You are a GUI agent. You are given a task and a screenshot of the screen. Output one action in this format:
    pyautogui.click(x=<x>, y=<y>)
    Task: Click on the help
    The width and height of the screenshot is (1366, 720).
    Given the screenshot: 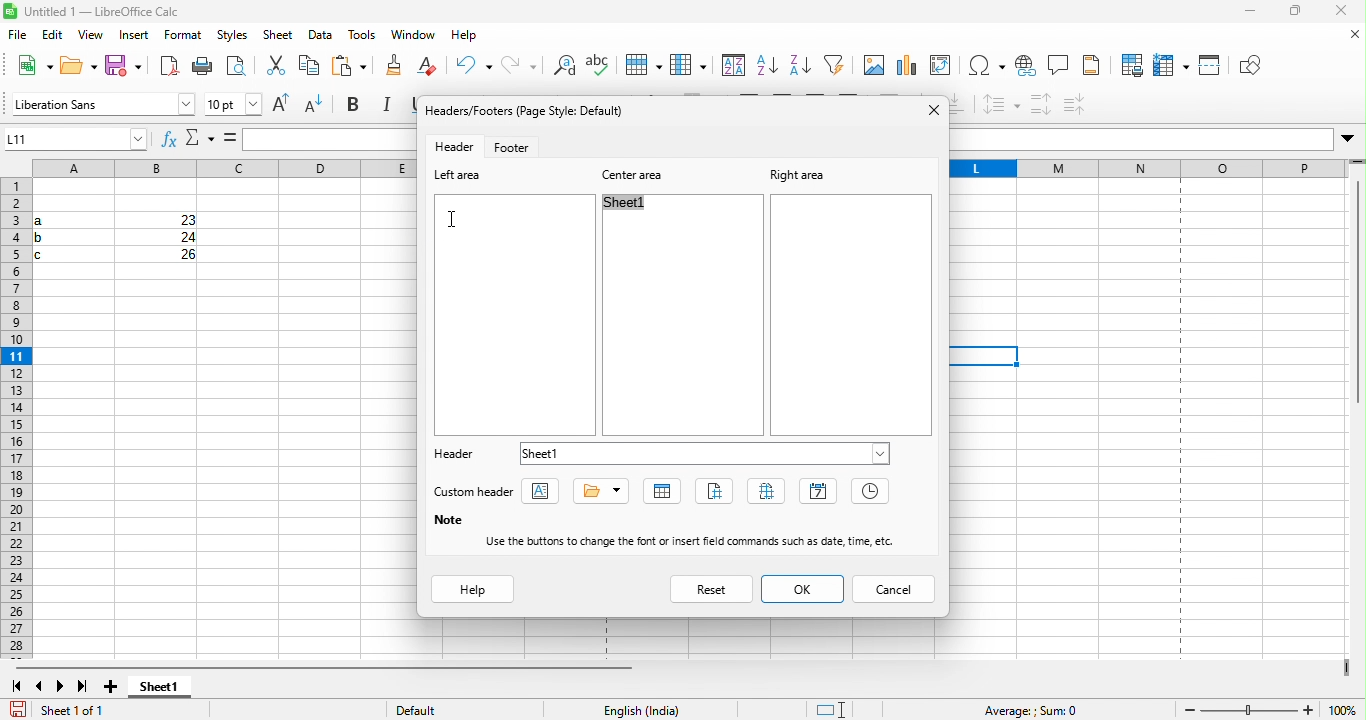 What is the action you would take?
    pyautogui.click(x=461, y=37)
    